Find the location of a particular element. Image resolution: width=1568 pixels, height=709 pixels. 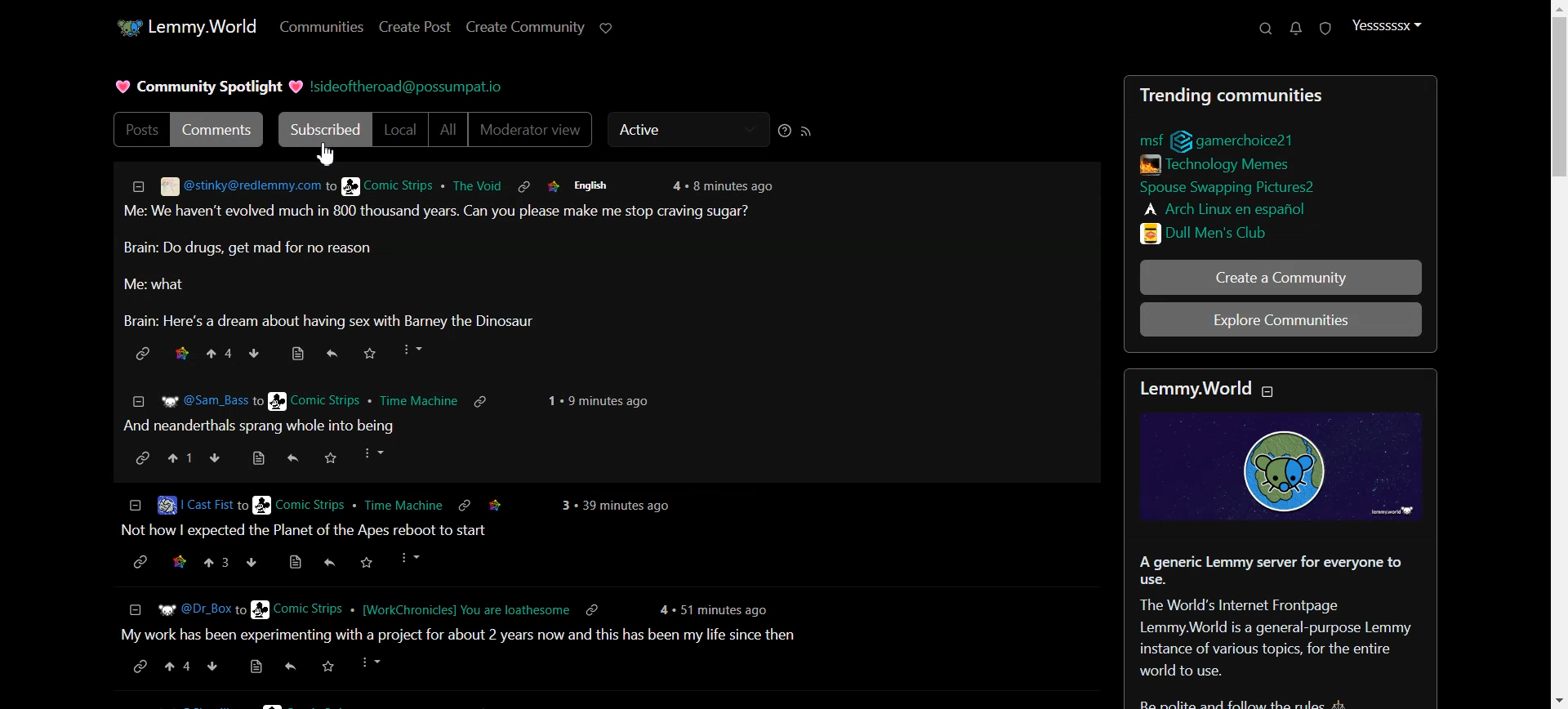

Posts is located at coordinates (139, 129).